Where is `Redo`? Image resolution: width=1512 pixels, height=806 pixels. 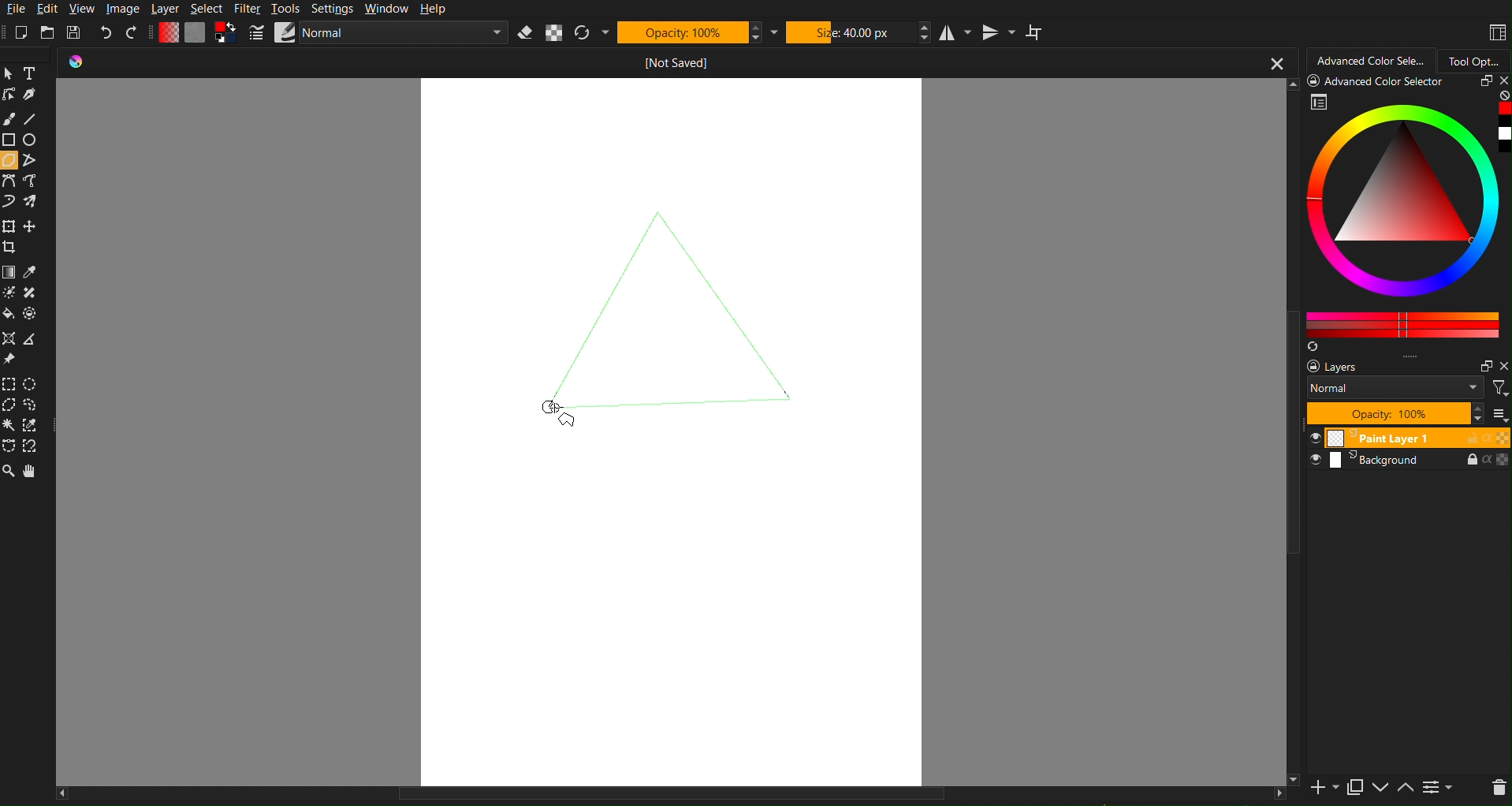 Redo is located at coordinates (132, 32).